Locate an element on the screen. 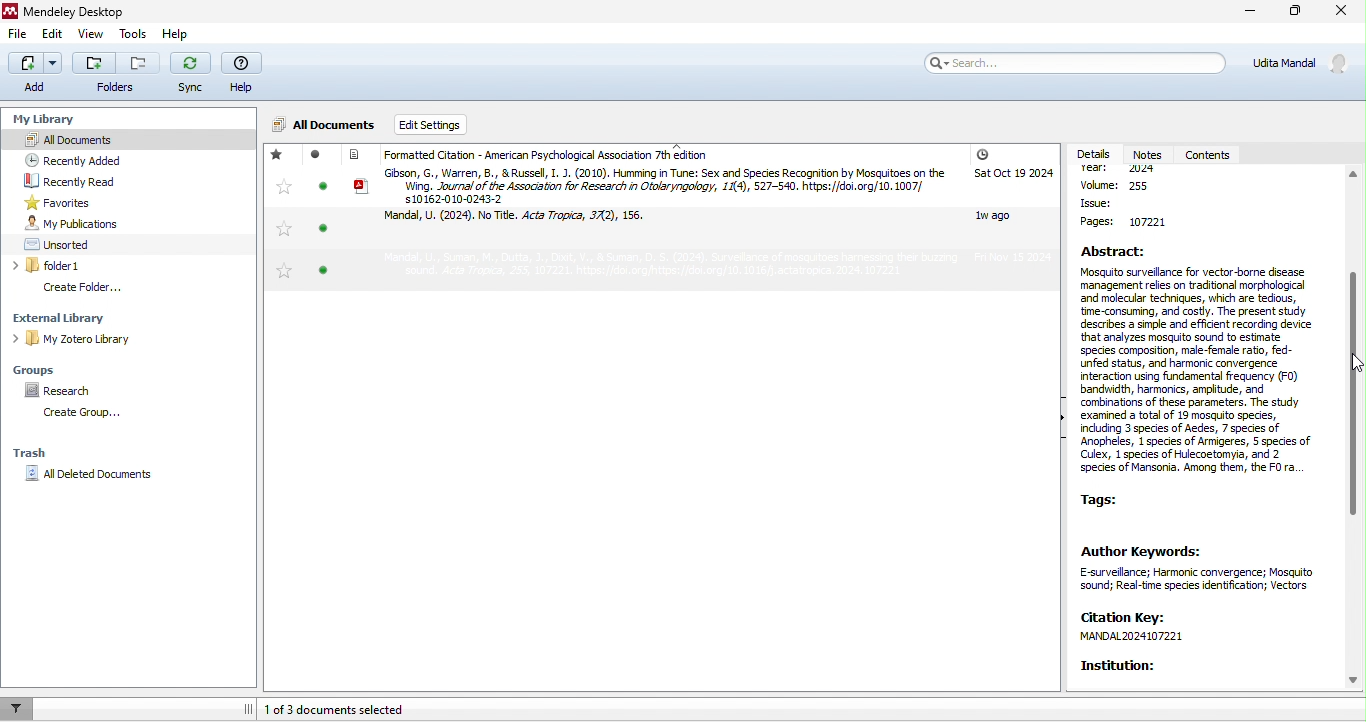 The width and height of the screenshot is (1366, 722). groups is located at coordinates (45, 368).